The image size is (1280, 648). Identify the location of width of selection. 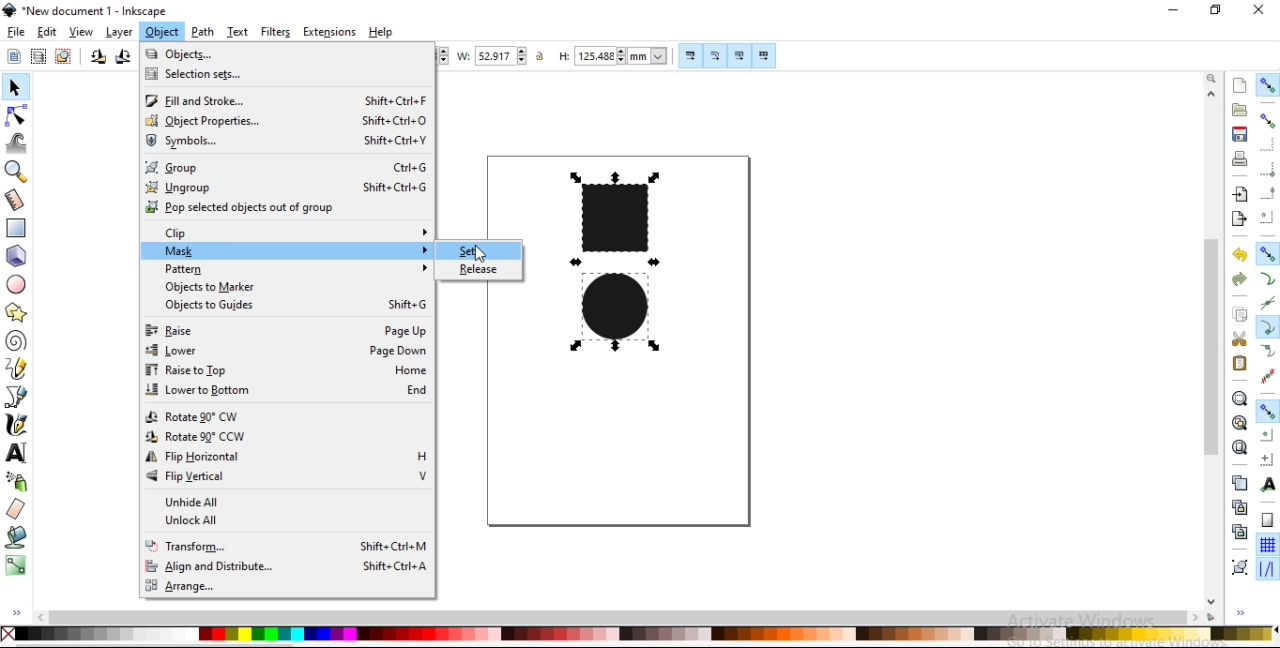
(494, 56).